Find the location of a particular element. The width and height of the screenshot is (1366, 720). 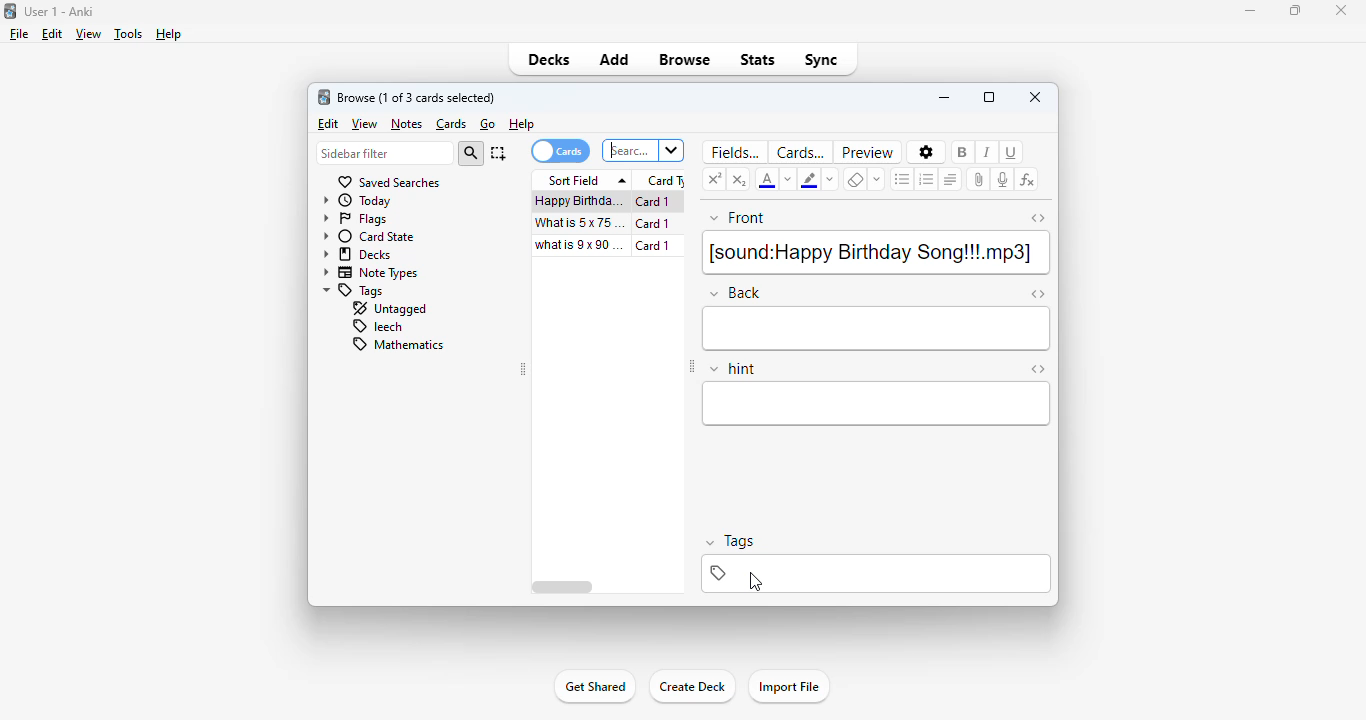

underline is located at coordinates (1013, 152).